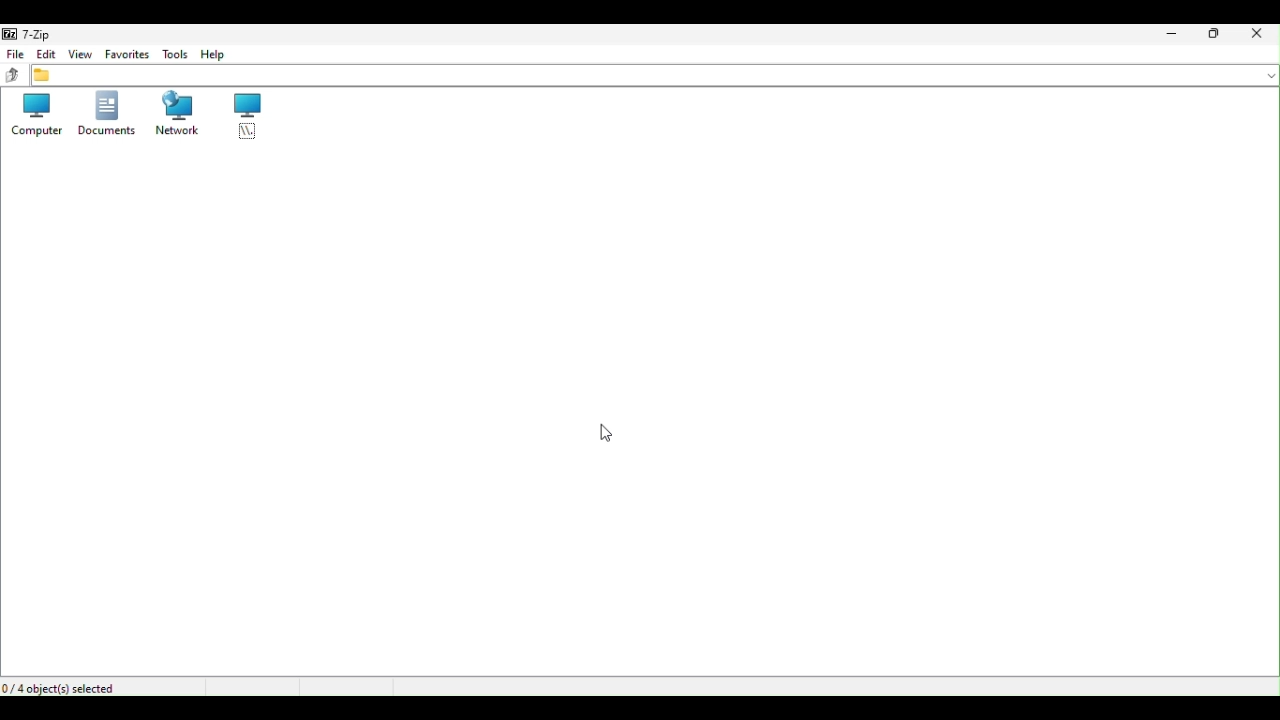 Image resolution: width=1280 pixels, height=720 pixels. What do you see at coordinates (71, 688) in the screenshot?
I see `Four objects elected` at bounding box center [71, 688].